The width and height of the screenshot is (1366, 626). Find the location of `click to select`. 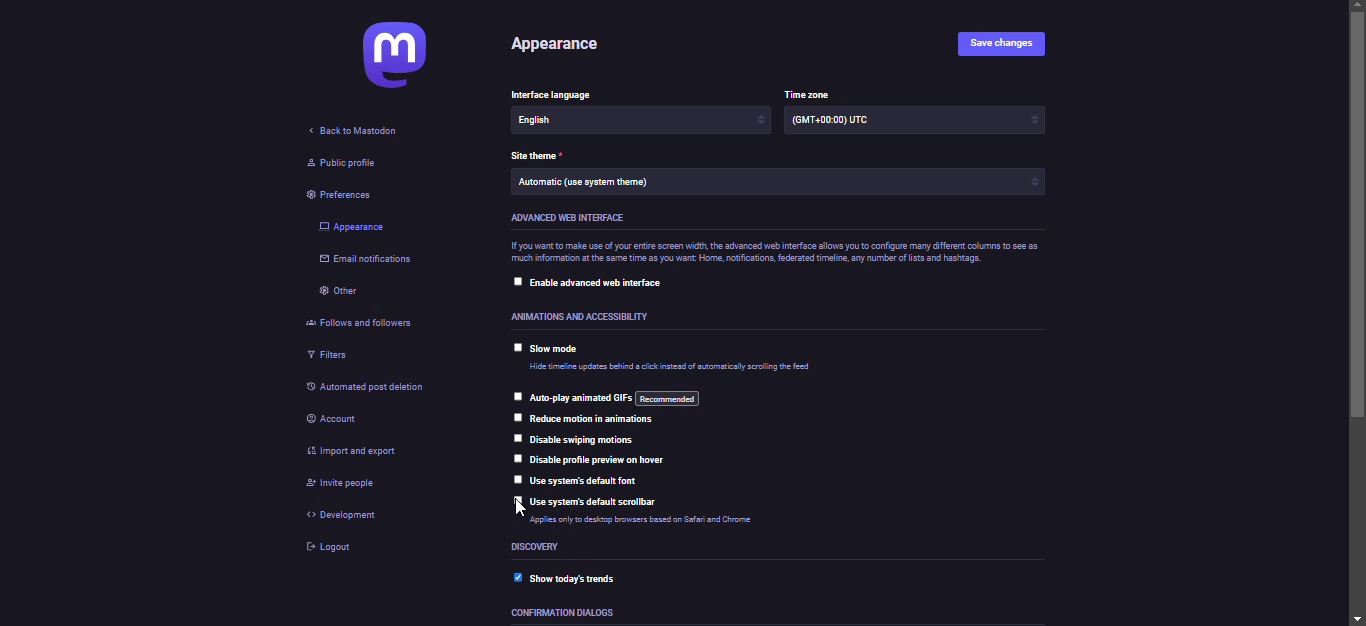

click to select is located at coordinates (516, 459).